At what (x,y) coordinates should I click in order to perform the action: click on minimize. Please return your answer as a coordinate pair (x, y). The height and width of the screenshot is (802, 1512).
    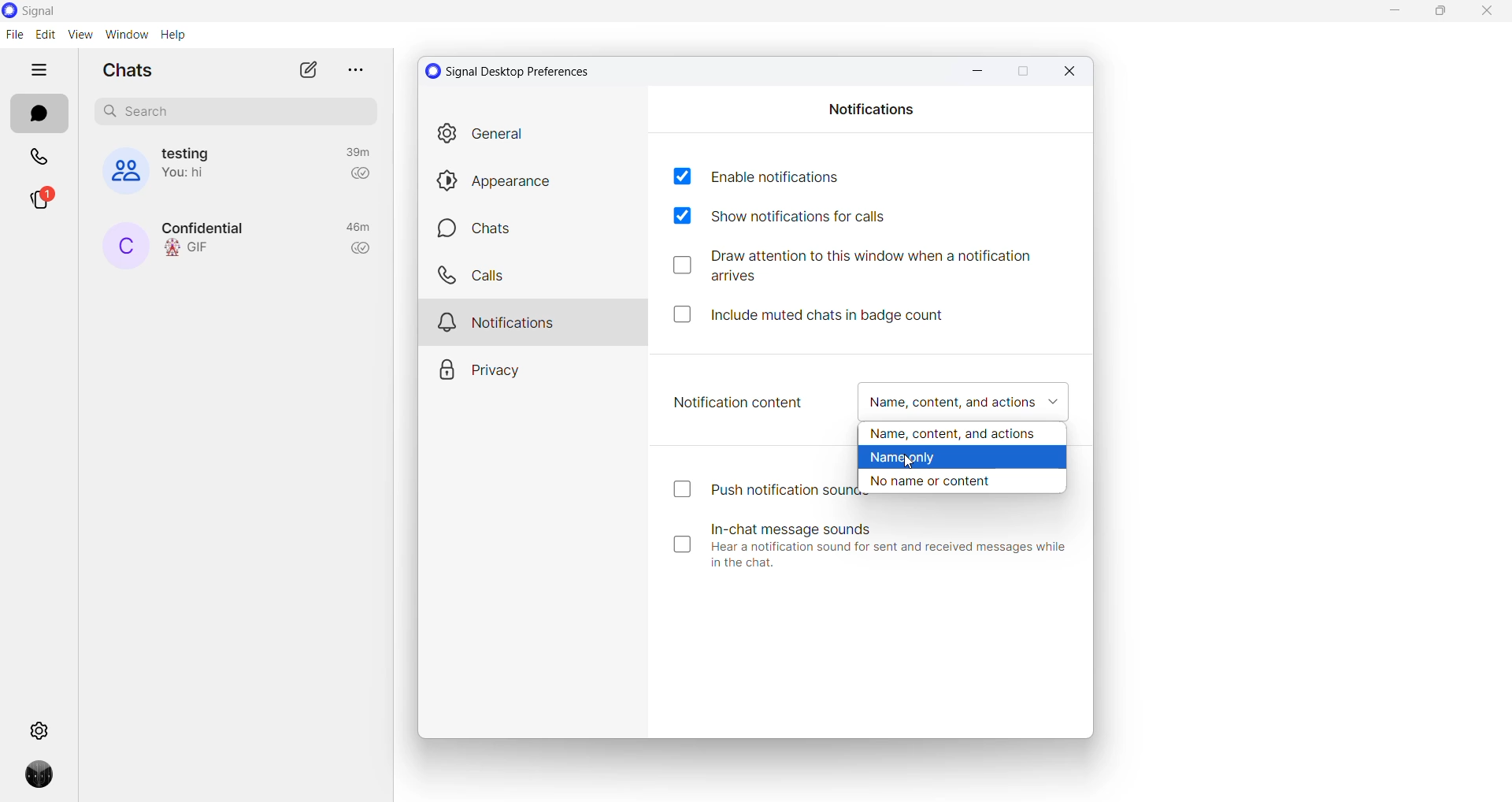
    Looking at the image, I should click on (1388, 12).